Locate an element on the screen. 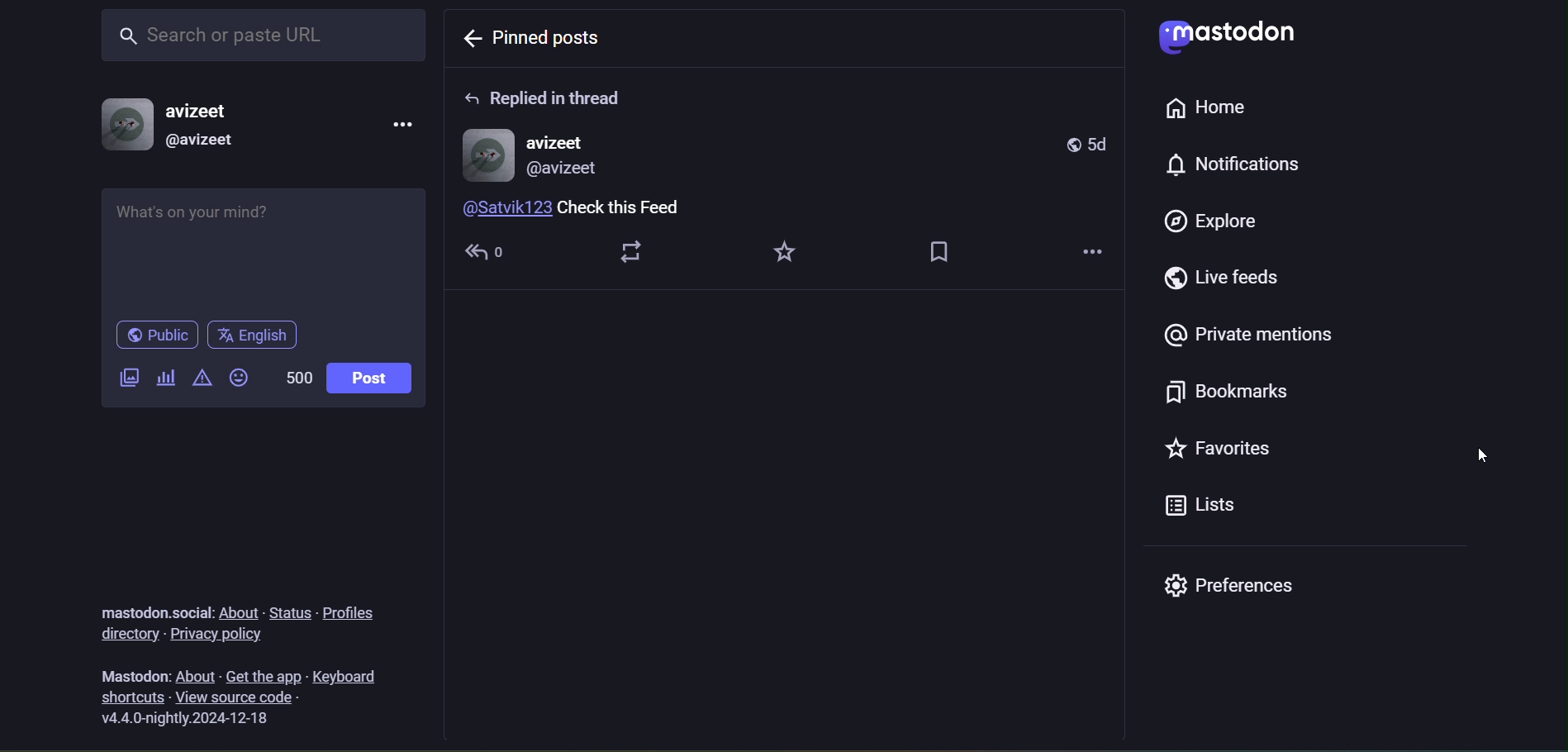 The height and width of the screenshot is (752, 1568). directory is located at coordinates (125, 635).